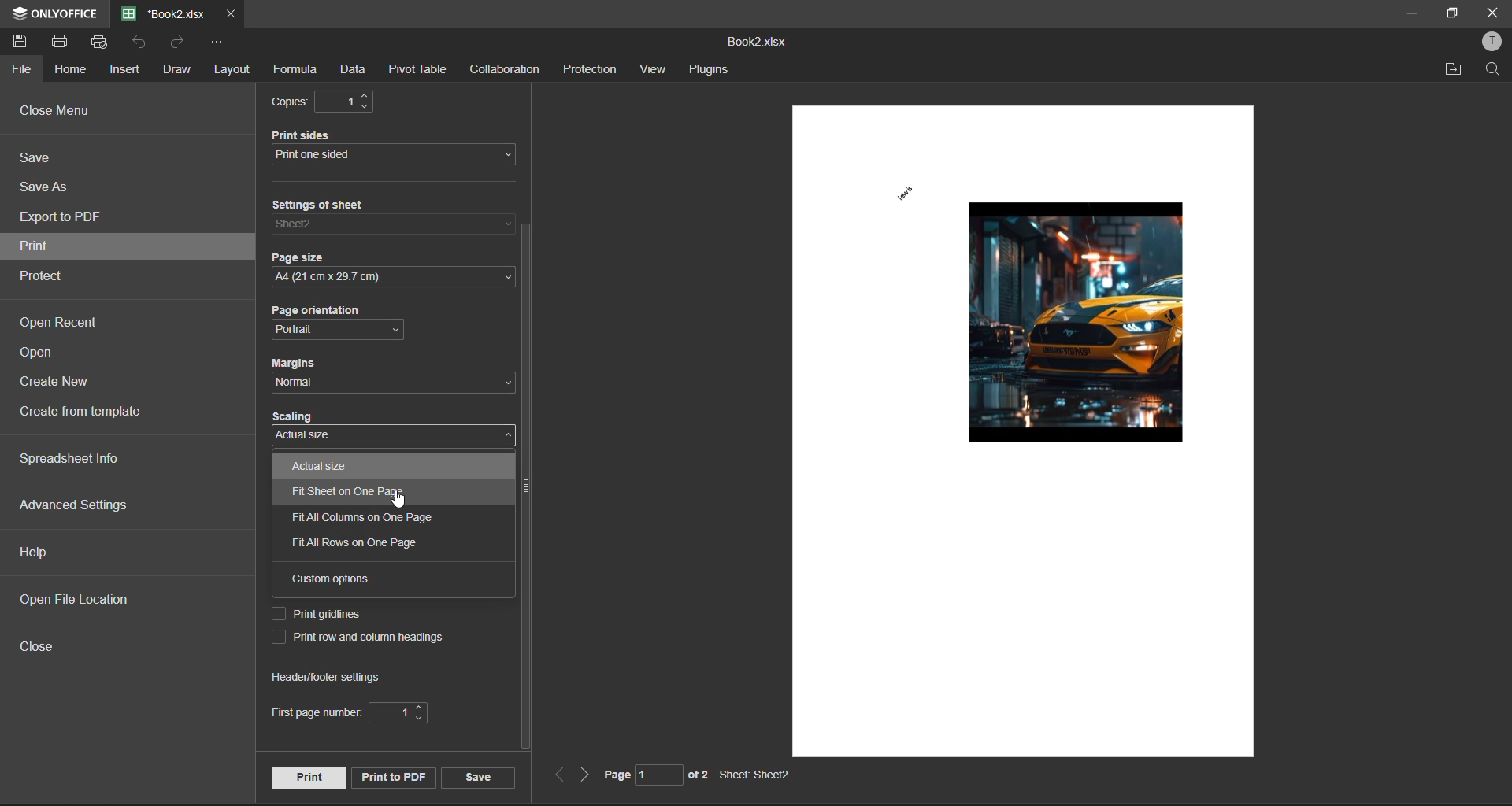  I want to click on pivot table, so click(421, 68).